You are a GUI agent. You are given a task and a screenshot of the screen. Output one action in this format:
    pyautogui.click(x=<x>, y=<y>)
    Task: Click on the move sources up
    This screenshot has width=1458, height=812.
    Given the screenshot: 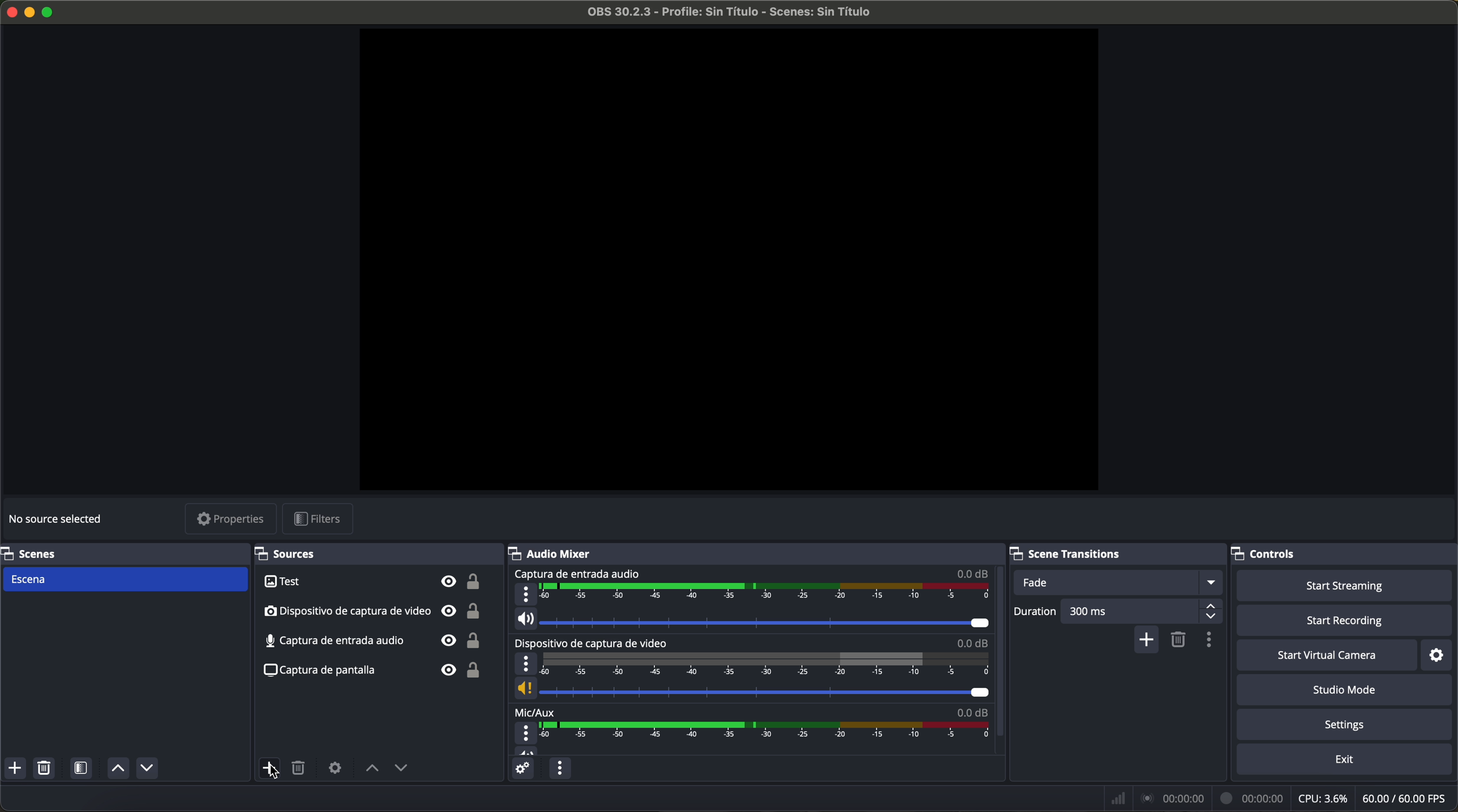 What is the action you would take?
    pyautogui.click(x=369, y=768)
    